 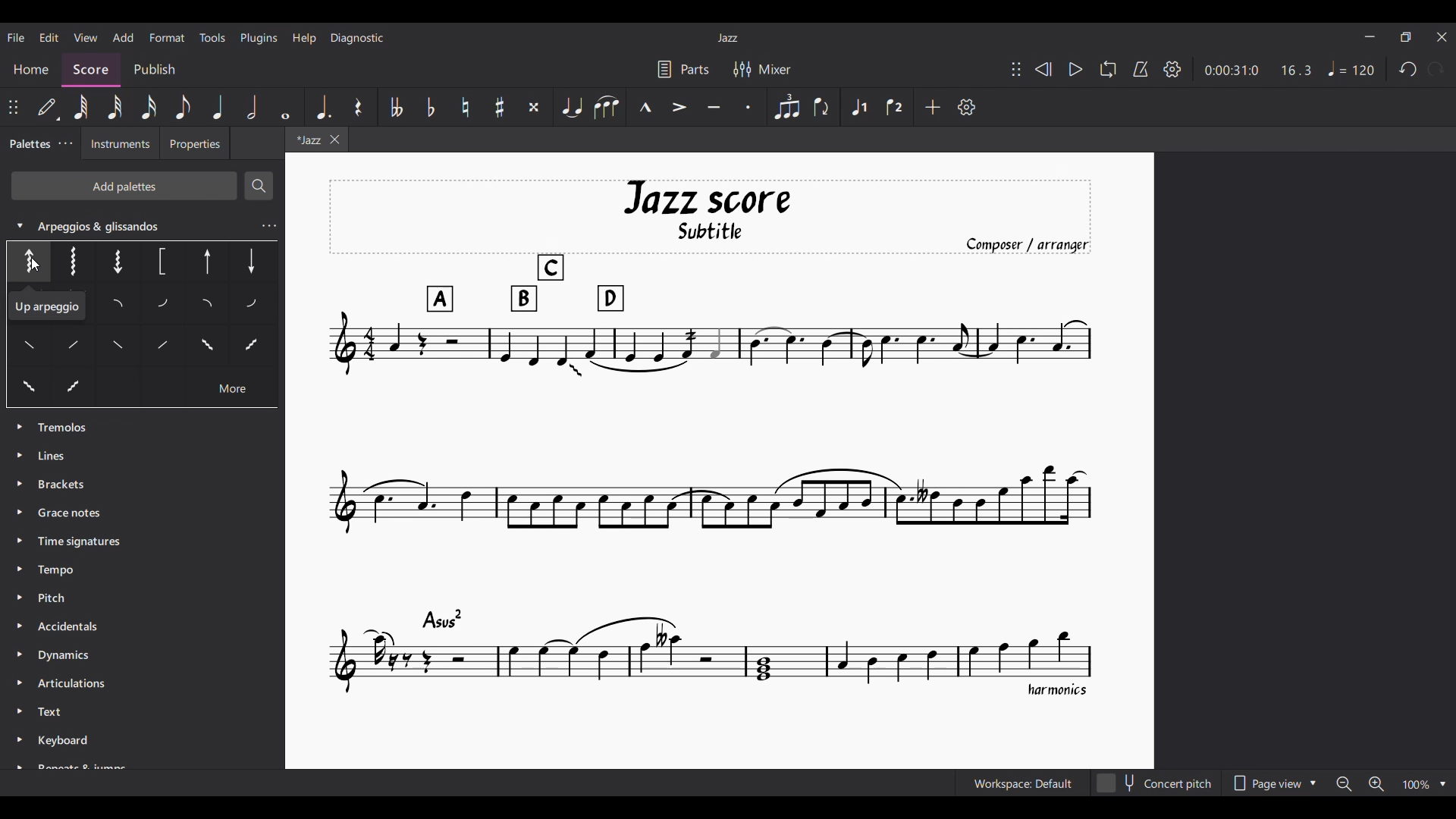 What do you see at coordinates (1141, 69) in the screenshot?
I see `Metronome` at bounding box center [1141, 69].